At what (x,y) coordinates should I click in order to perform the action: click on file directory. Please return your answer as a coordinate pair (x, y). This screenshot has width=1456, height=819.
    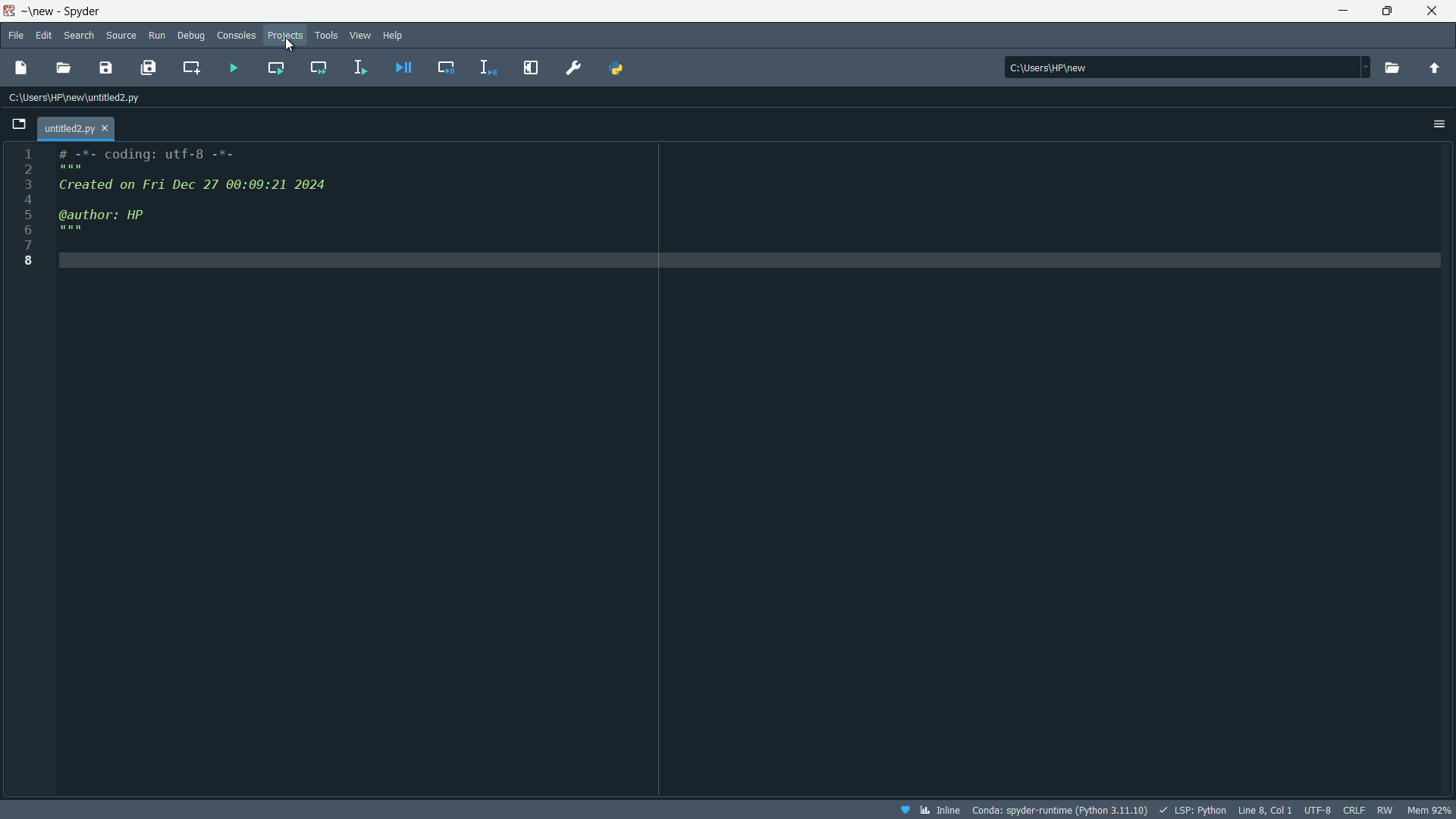
    Looking at the image, I should click on (75, 99).